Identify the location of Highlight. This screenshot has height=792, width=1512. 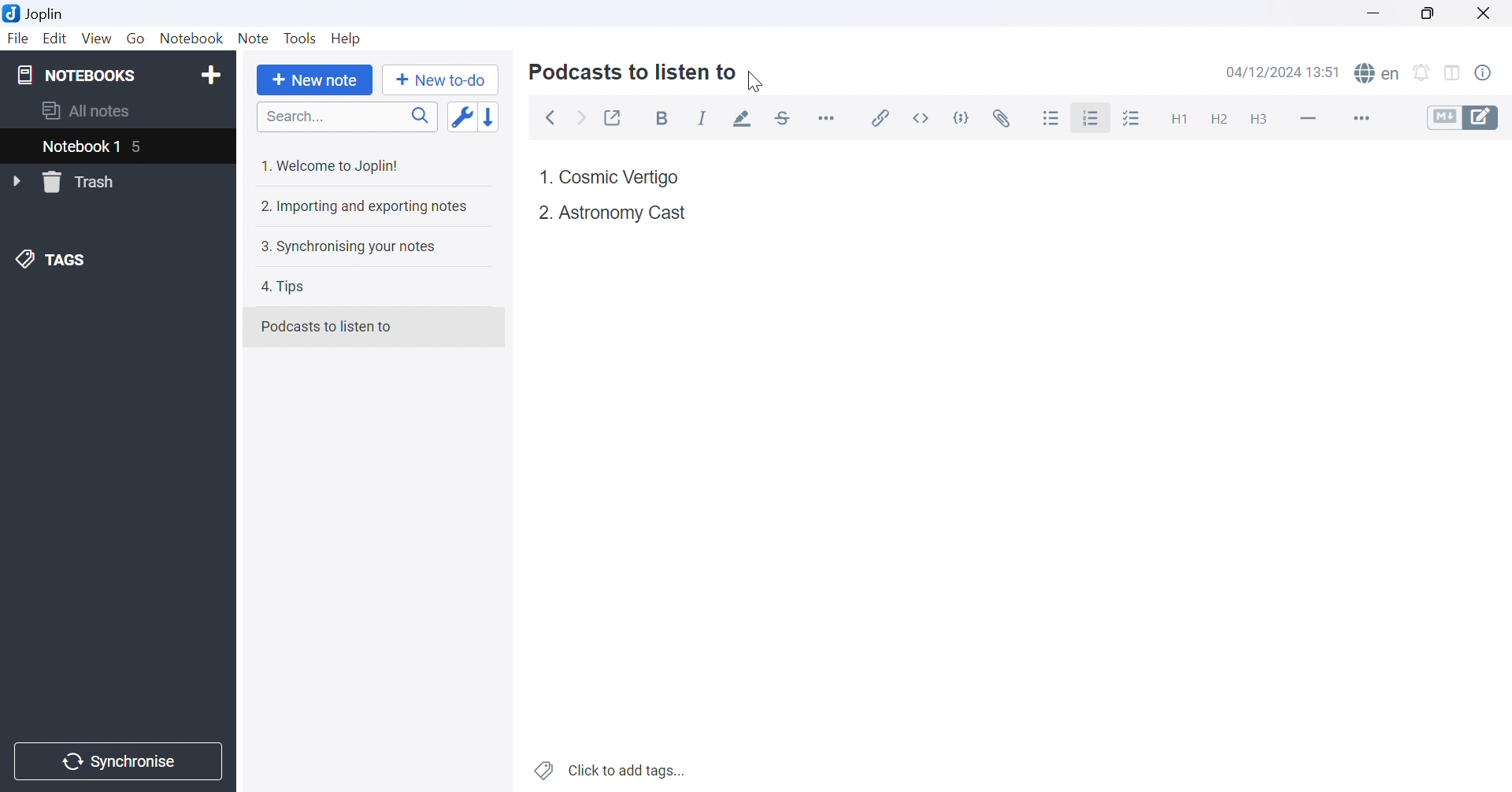
(744, 119).